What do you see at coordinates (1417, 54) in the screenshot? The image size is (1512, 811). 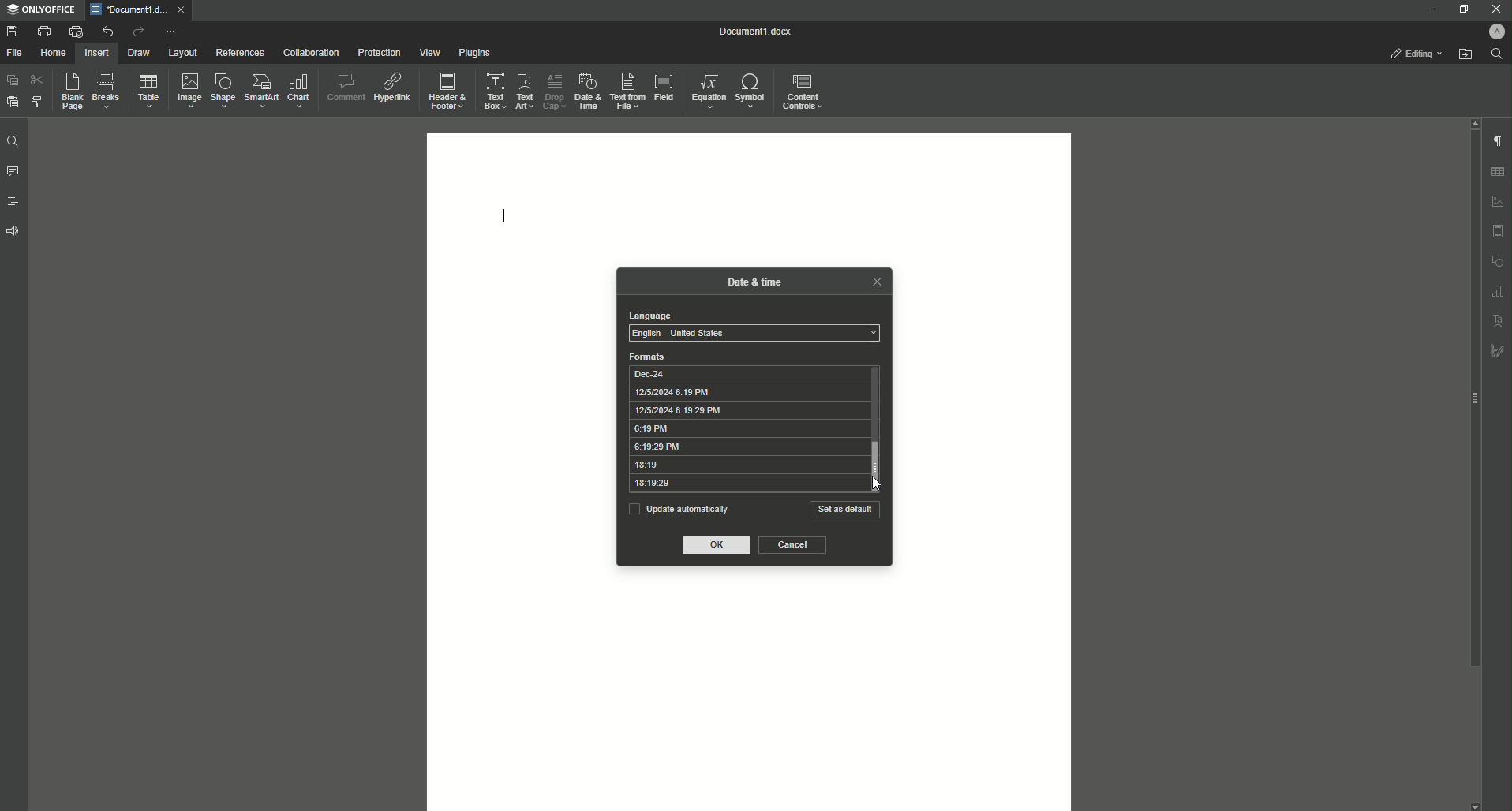 I see `Editing` at bounding box center [1417, 54].